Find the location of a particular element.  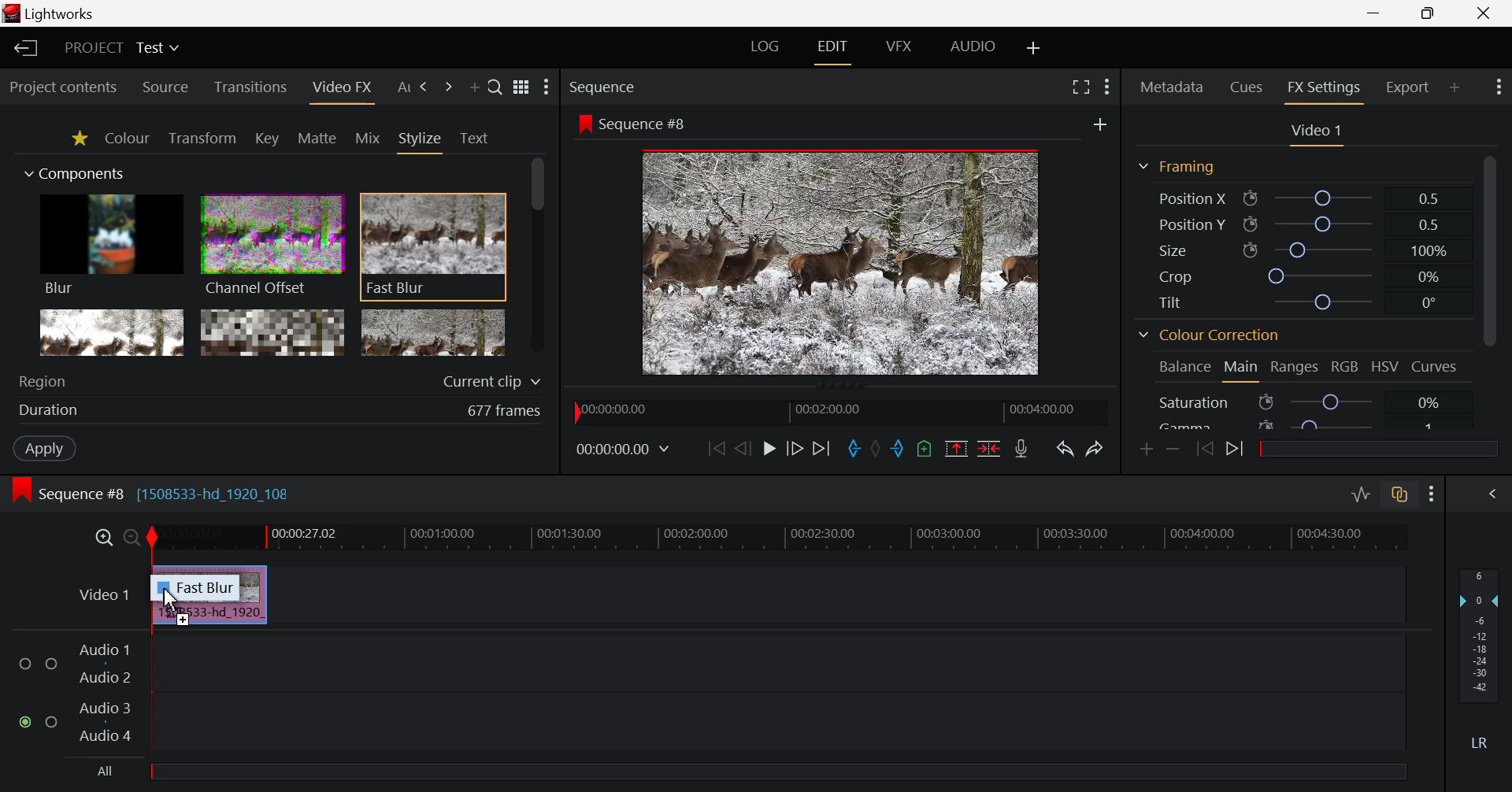

Video Layer  is located at coordinates (91, 593).